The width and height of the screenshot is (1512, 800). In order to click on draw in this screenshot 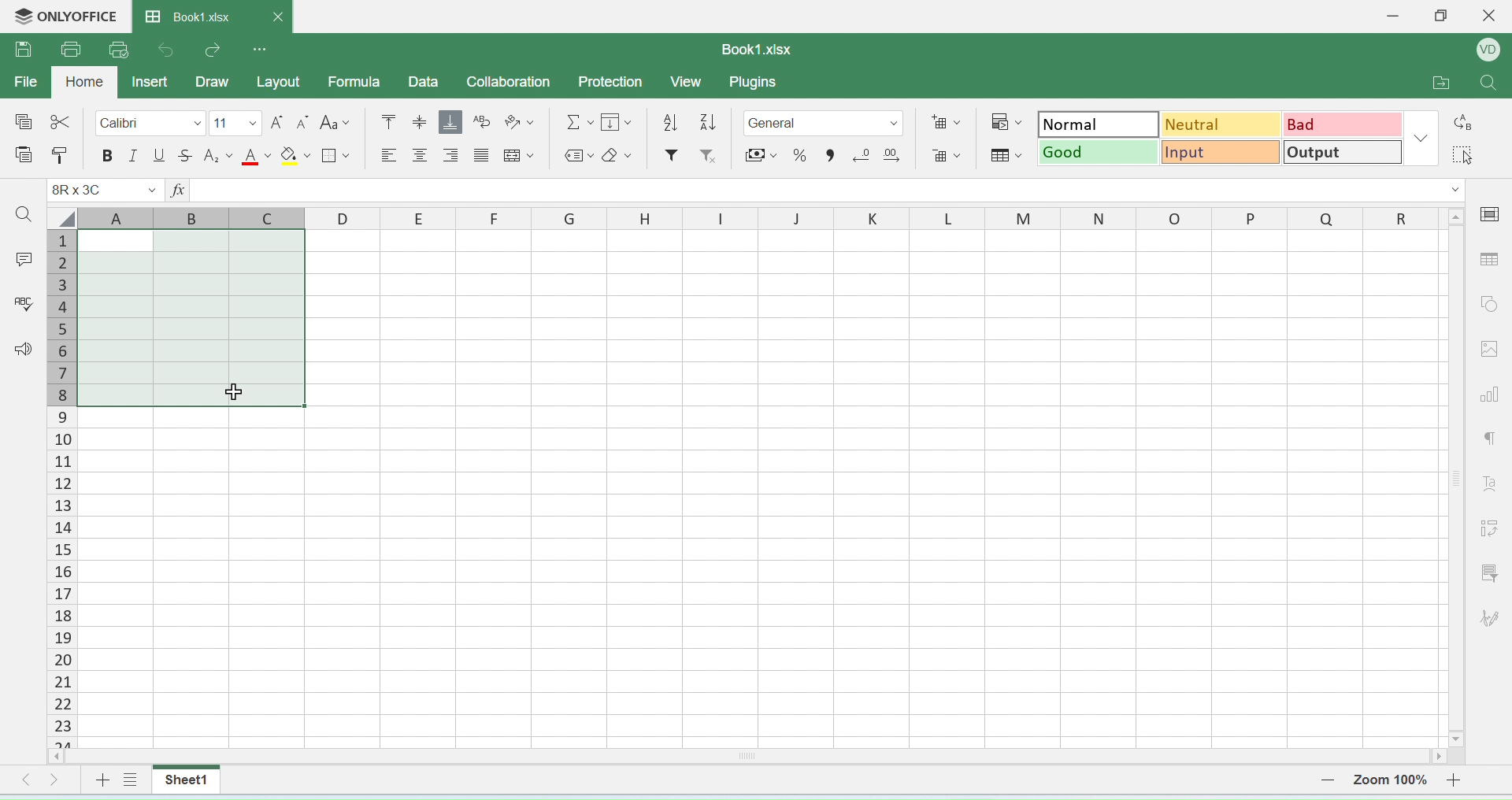, I will do `click(213, 80)`.